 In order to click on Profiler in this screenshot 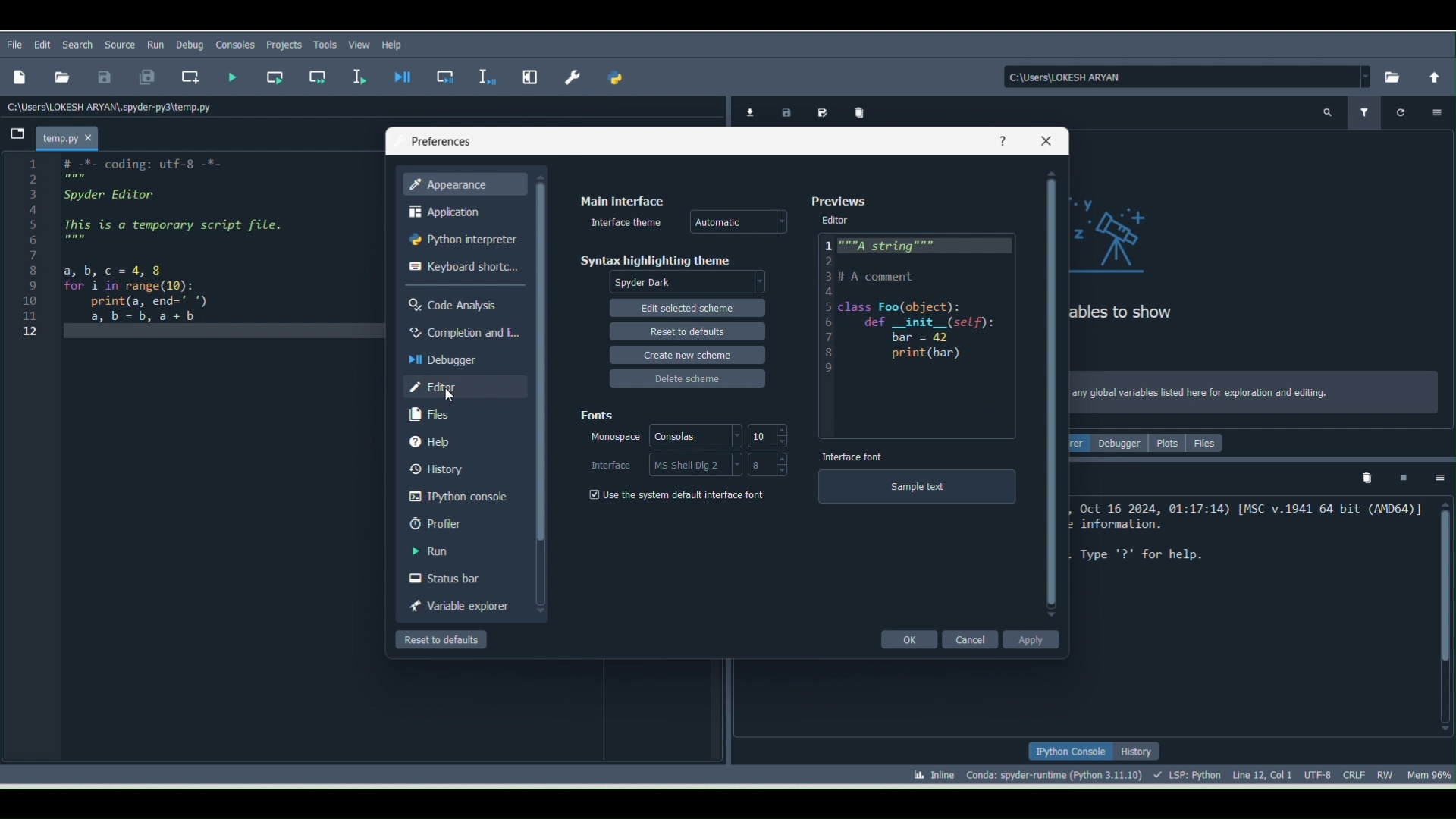, I will do `click(464, 523)`.